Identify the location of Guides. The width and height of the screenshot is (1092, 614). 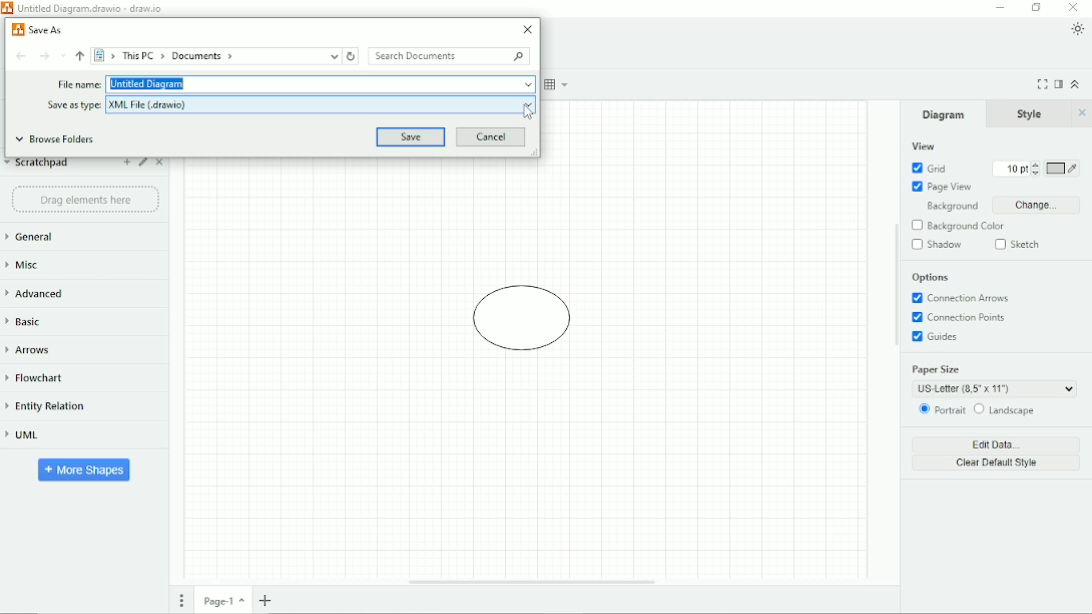
(936, 337).